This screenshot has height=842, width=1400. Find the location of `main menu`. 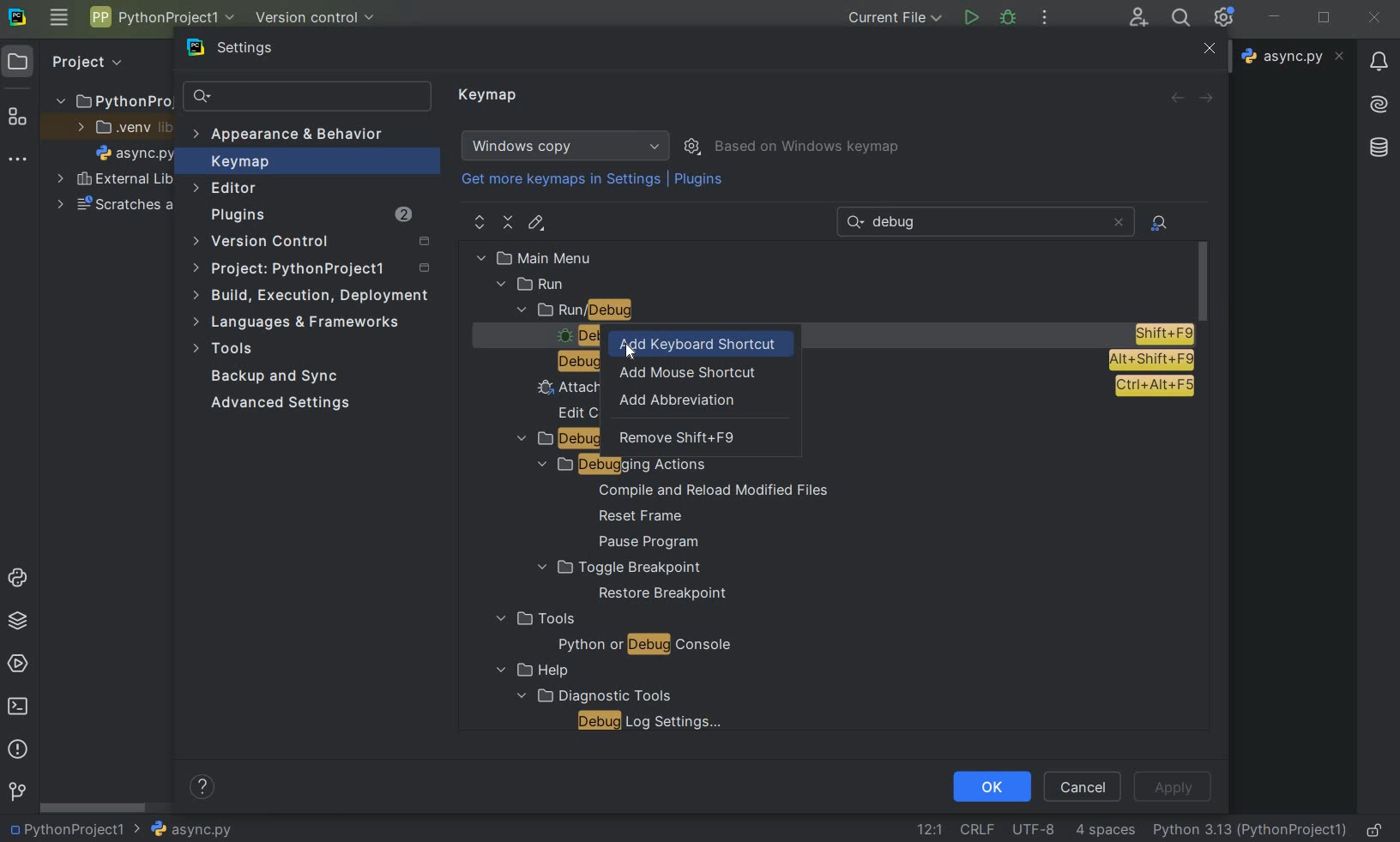

main menu is located at coordinates (571, 257).